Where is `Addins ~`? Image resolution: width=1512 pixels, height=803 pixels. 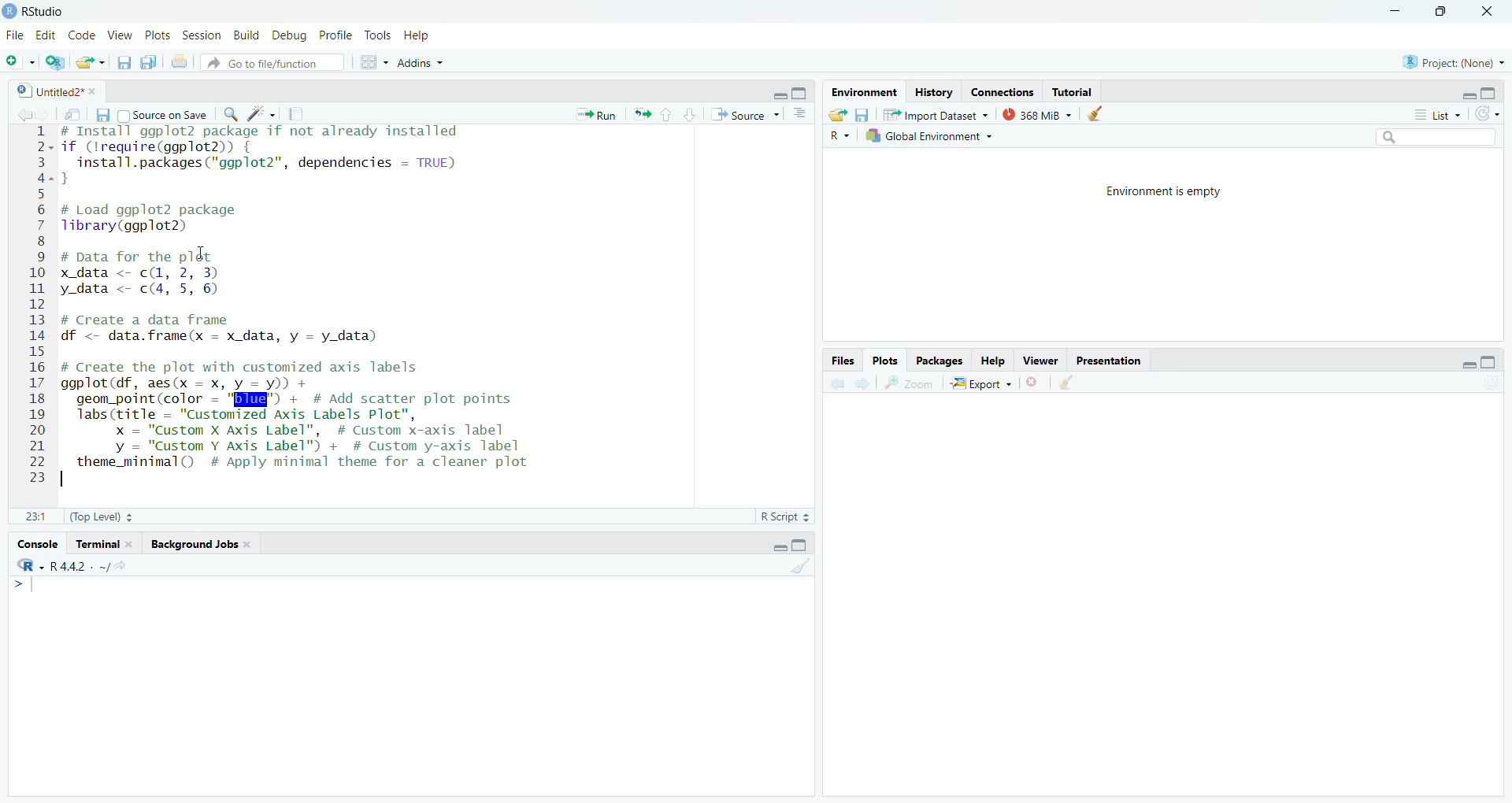 Addins ~ is located at coordinates (424, 64).